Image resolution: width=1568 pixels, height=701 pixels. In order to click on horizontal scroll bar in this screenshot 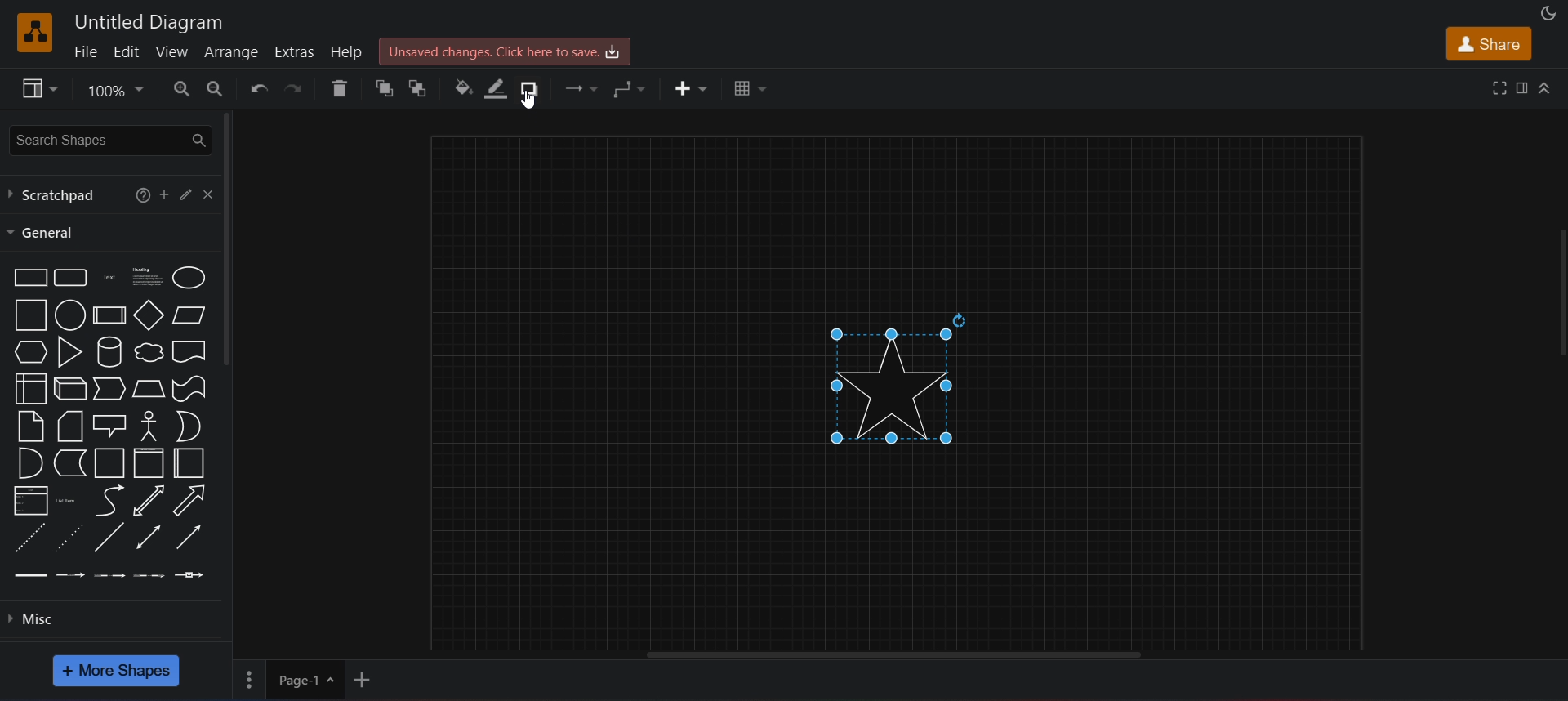, I will do `click(899, 658)`.